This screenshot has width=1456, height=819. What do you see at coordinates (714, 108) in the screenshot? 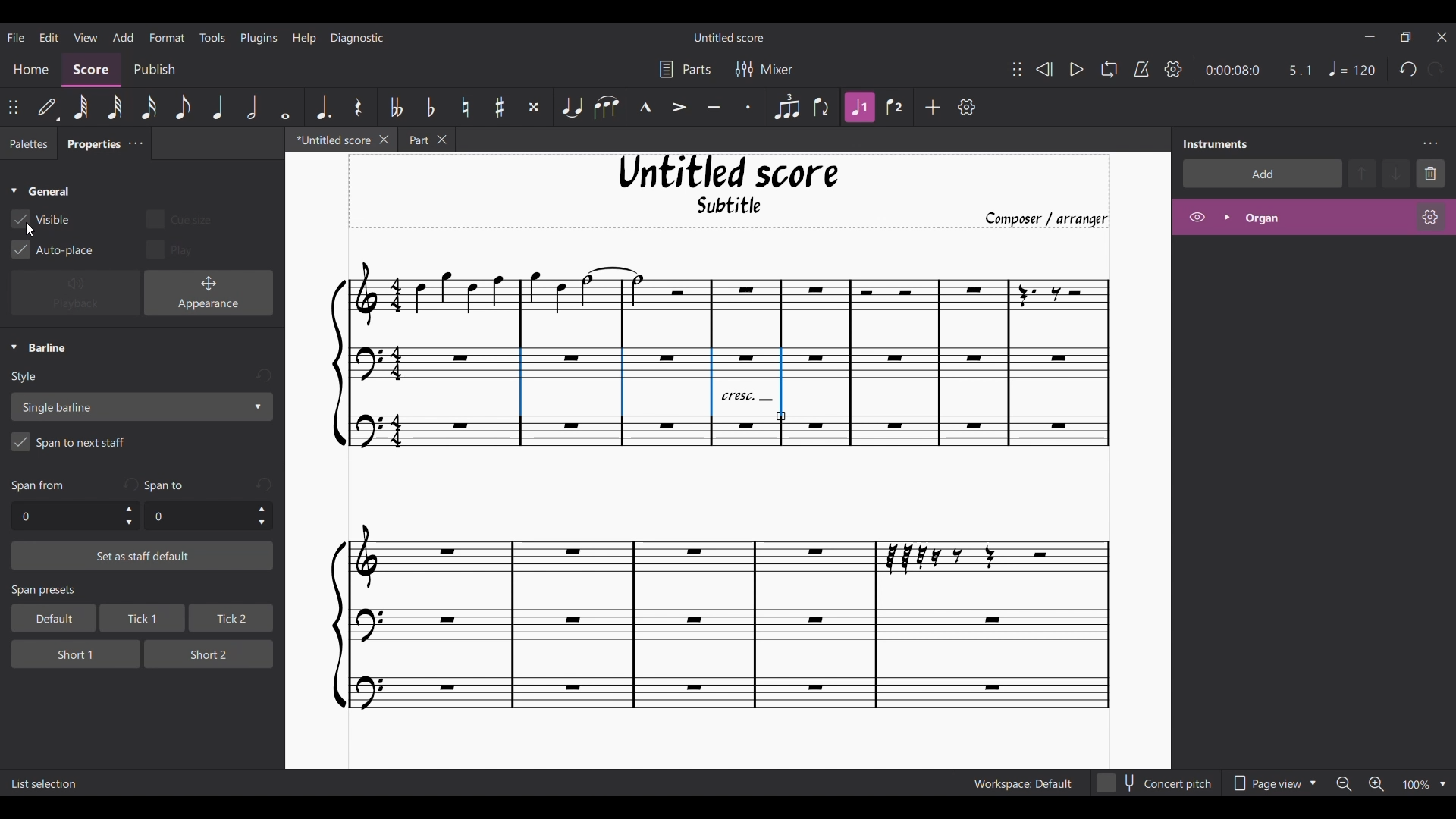
I see `Tenuto` at bounding box center [714, 108].